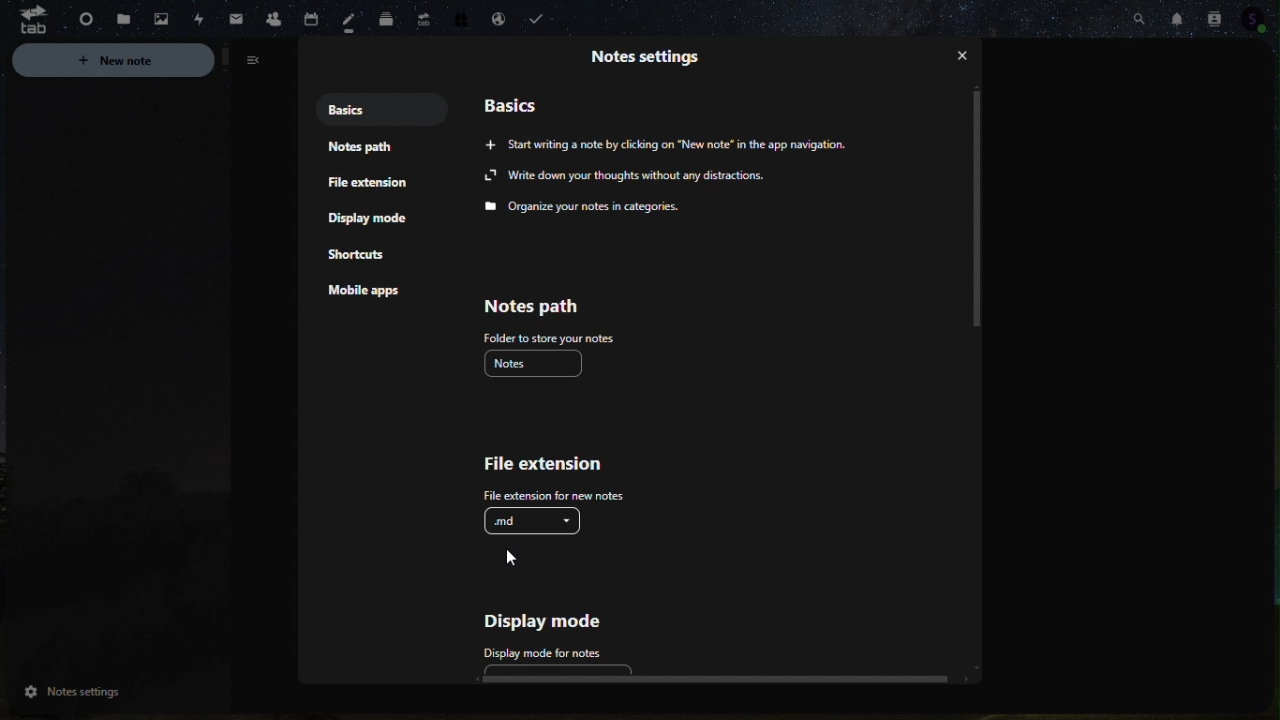 Image resolution: width=1280 pixels, height=720 pixels. I want to click on display mode for notes, so click(547, 653).